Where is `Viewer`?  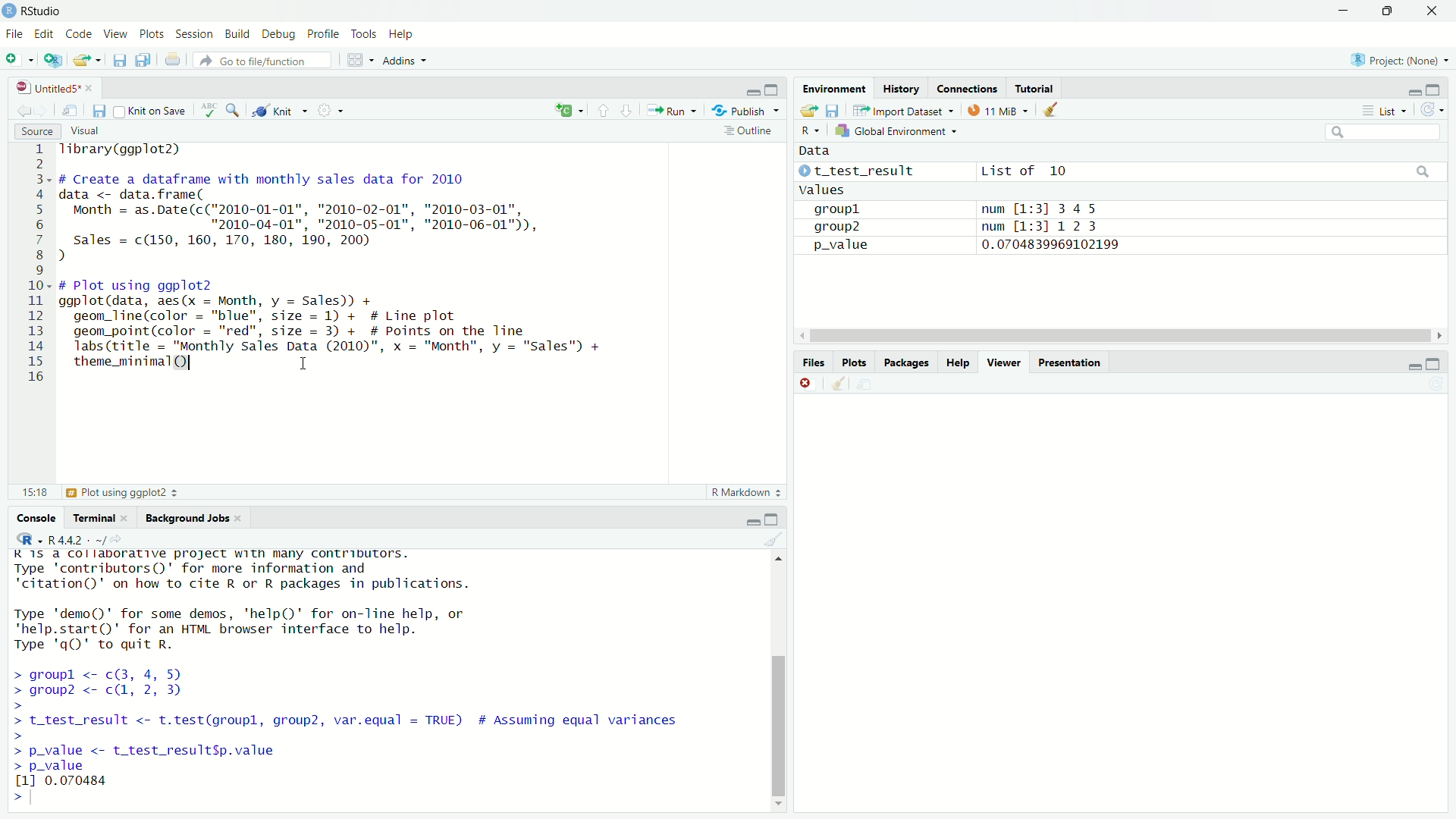 Viewer is located at coordinates (1001, 361).